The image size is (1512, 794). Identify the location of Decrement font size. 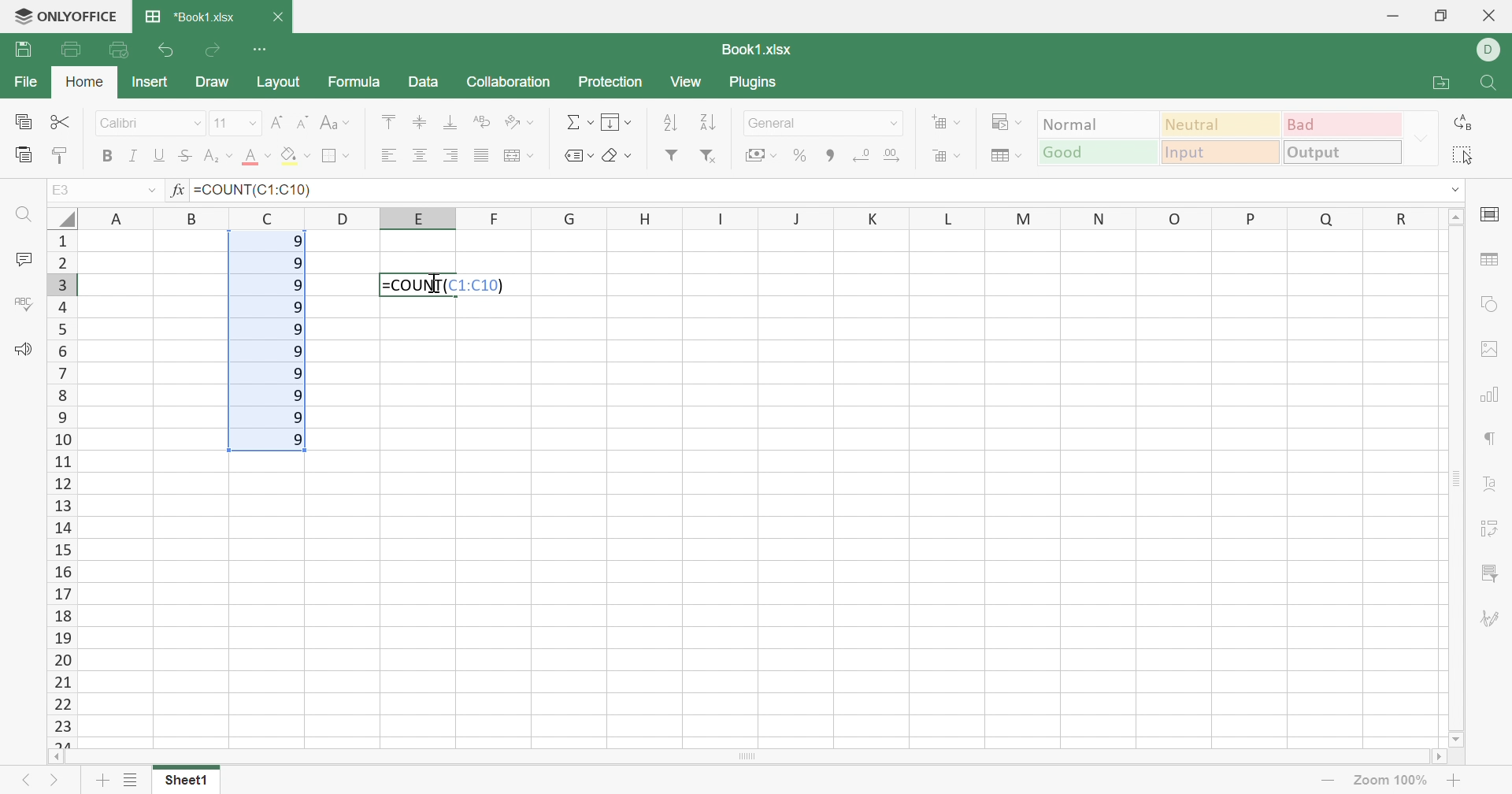
(303, 121).